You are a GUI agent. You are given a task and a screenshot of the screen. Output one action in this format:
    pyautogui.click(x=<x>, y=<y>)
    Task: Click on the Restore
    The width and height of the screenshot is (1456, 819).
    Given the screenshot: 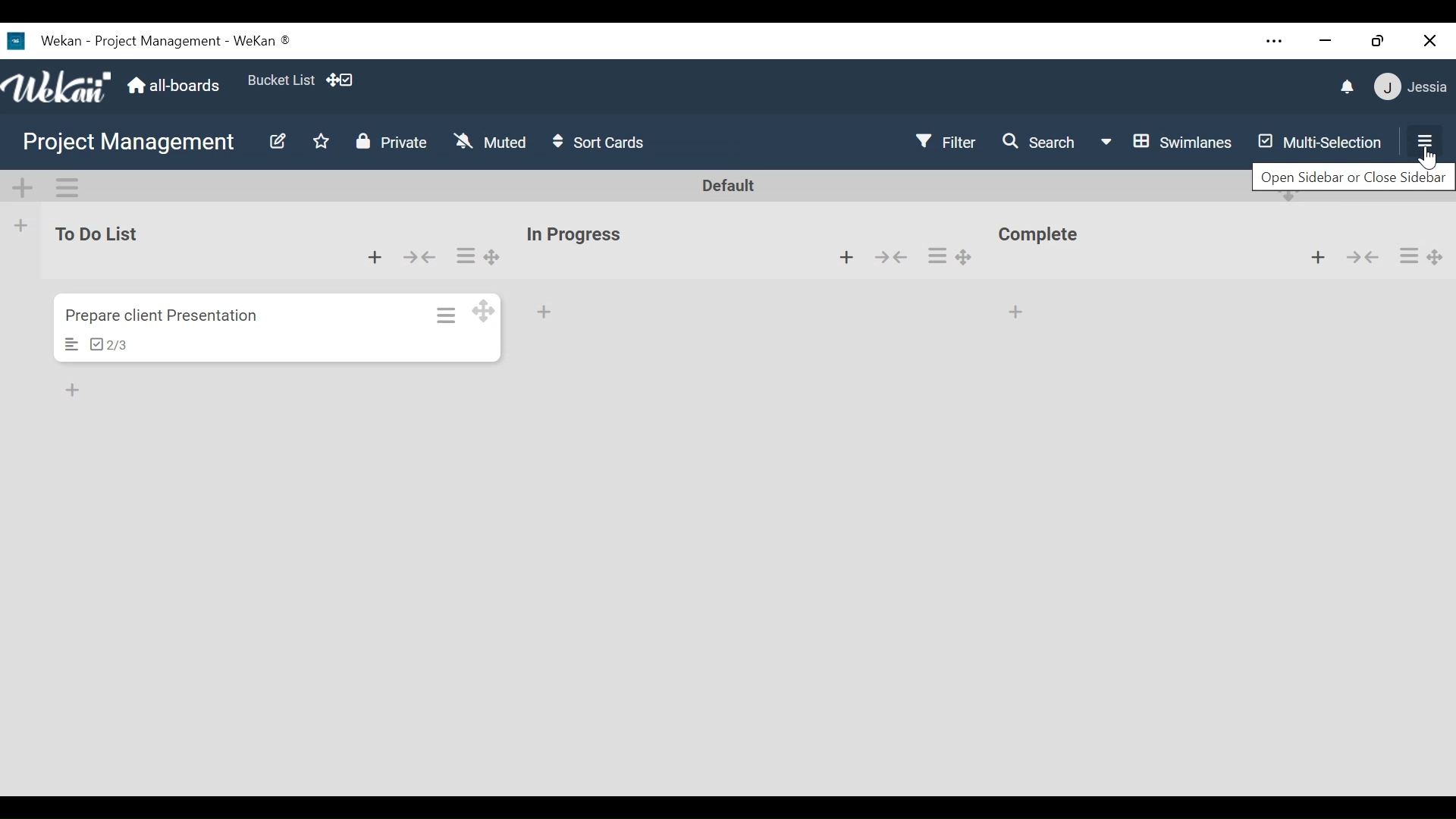 What is the action you would take?
    pyautogui.click(x=1378, y=40)
    